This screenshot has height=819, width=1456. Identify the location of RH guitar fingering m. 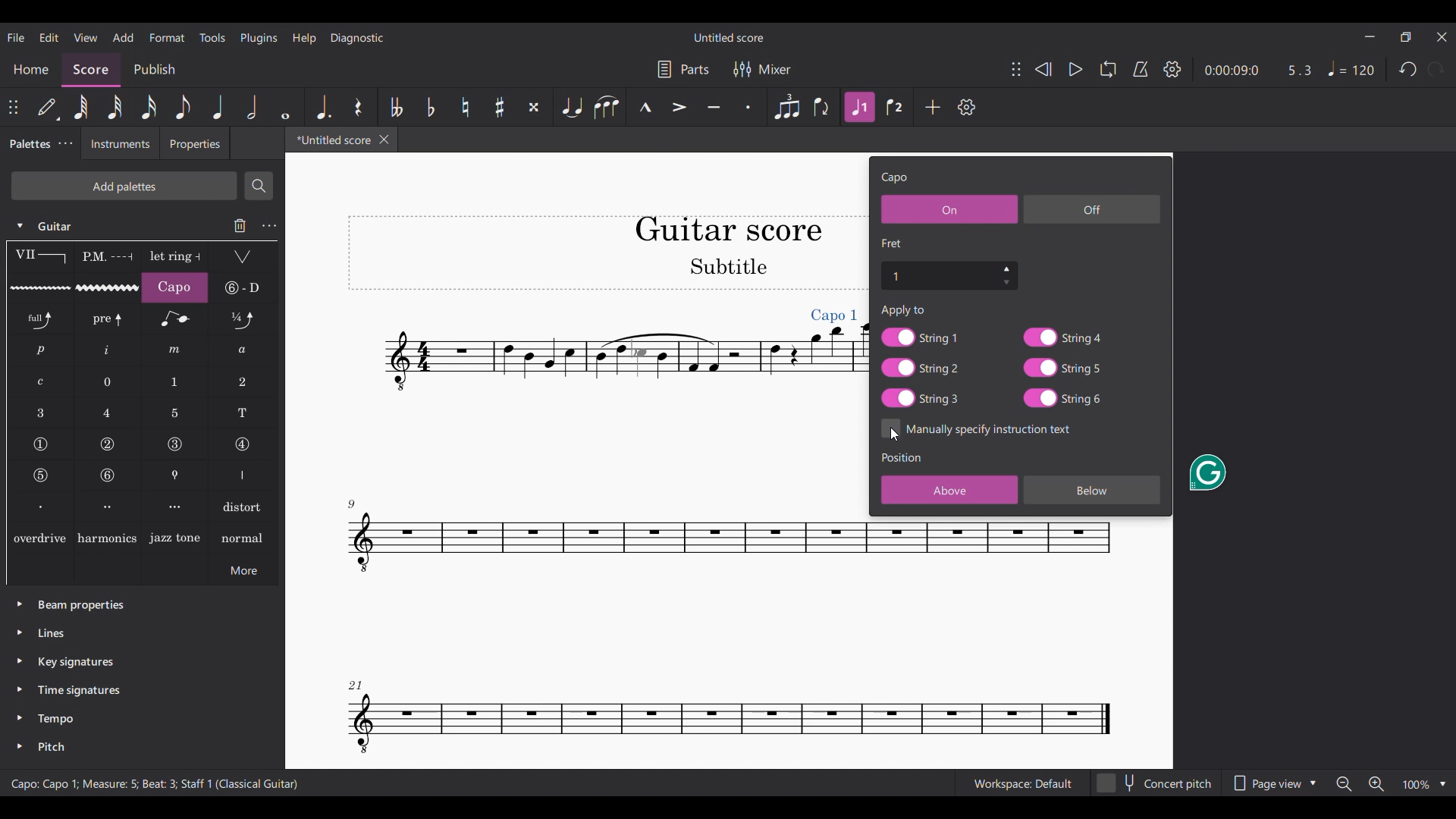
(174, 350).